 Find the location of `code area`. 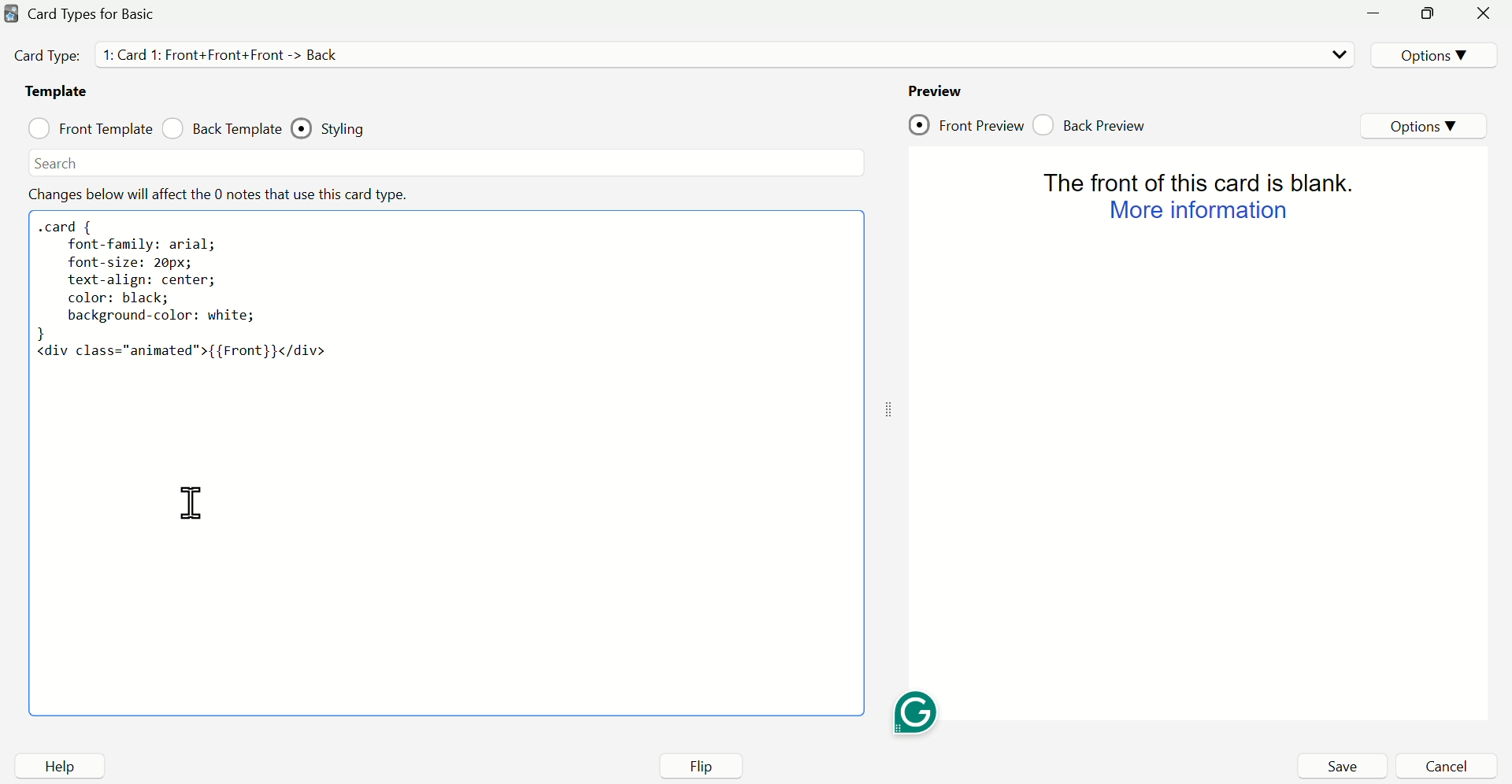

code area is located at coordinates (444, 475).